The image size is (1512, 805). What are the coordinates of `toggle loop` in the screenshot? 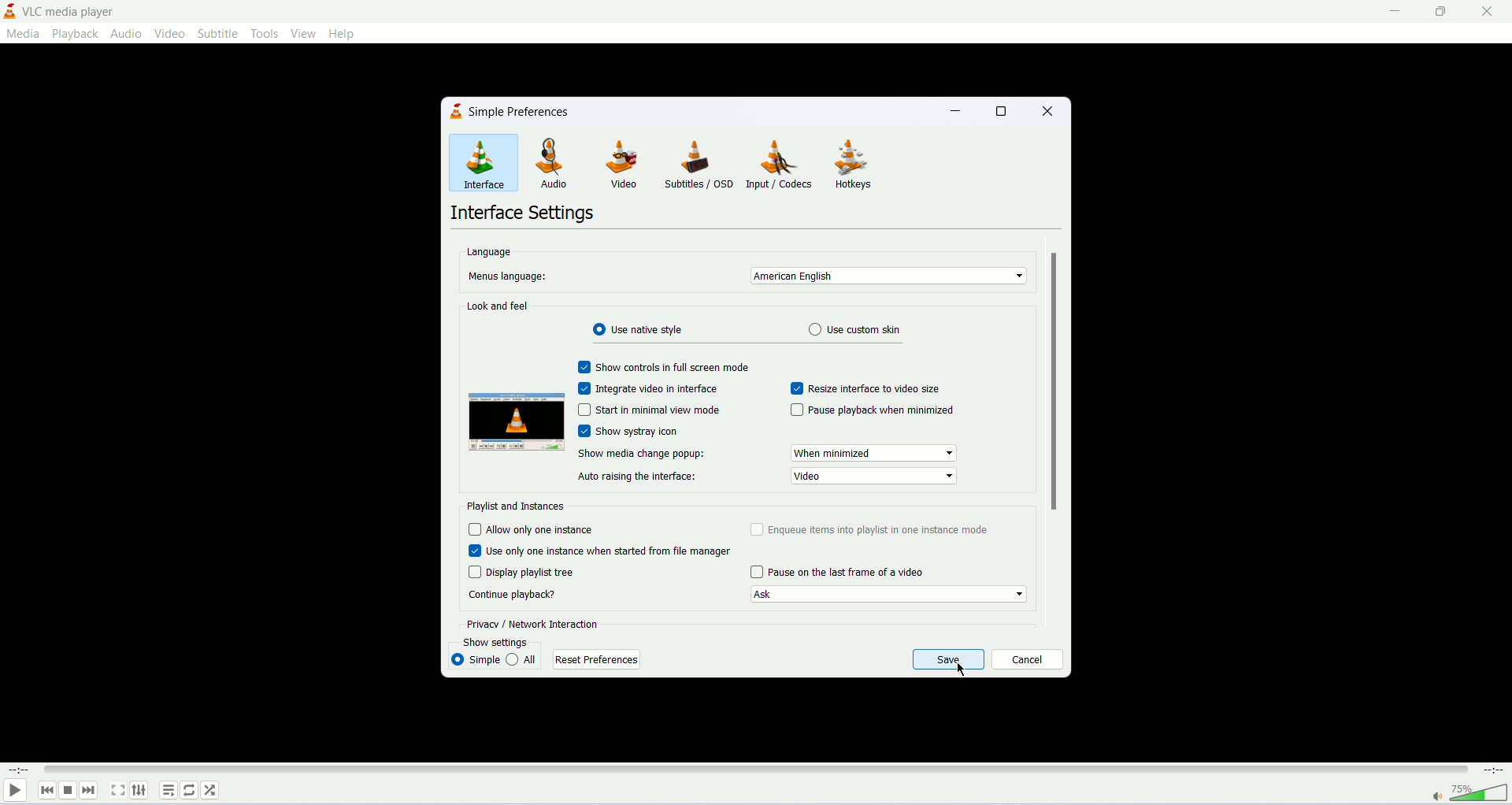 It's located at (189, 791).